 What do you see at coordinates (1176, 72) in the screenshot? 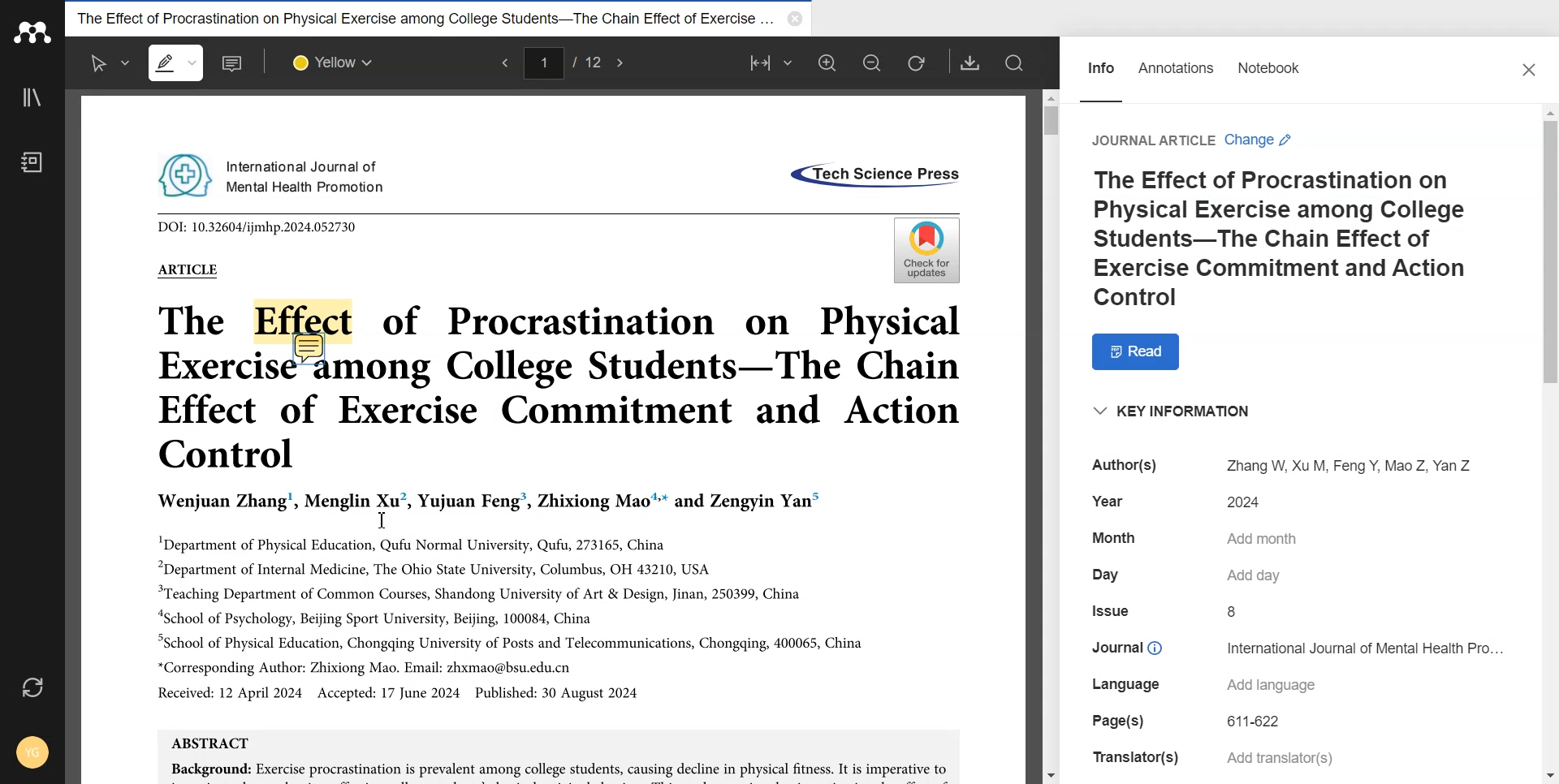
I see `Annotations` at bounding box center [1176, 72].